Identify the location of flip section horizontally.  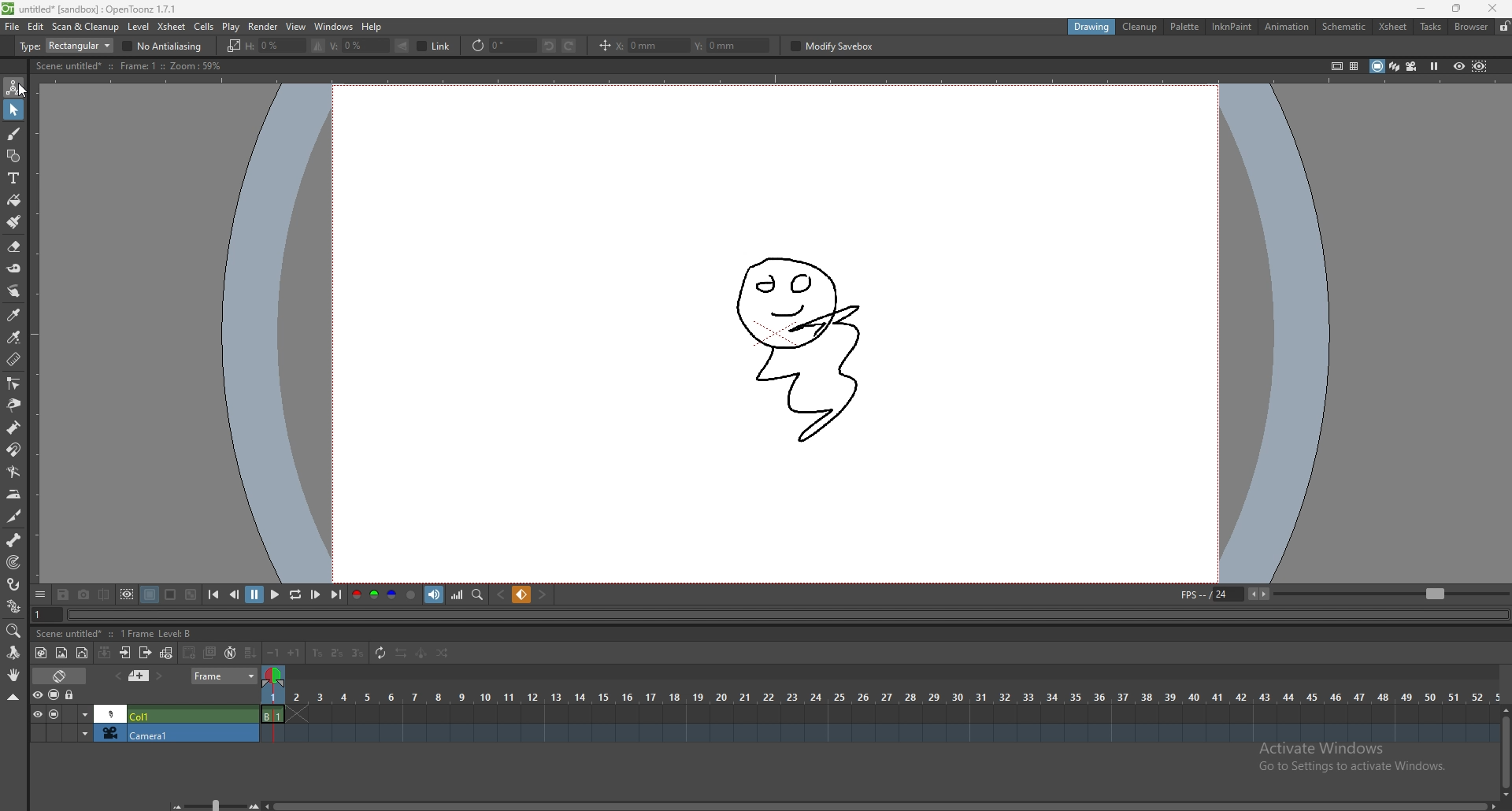
(317, 46).